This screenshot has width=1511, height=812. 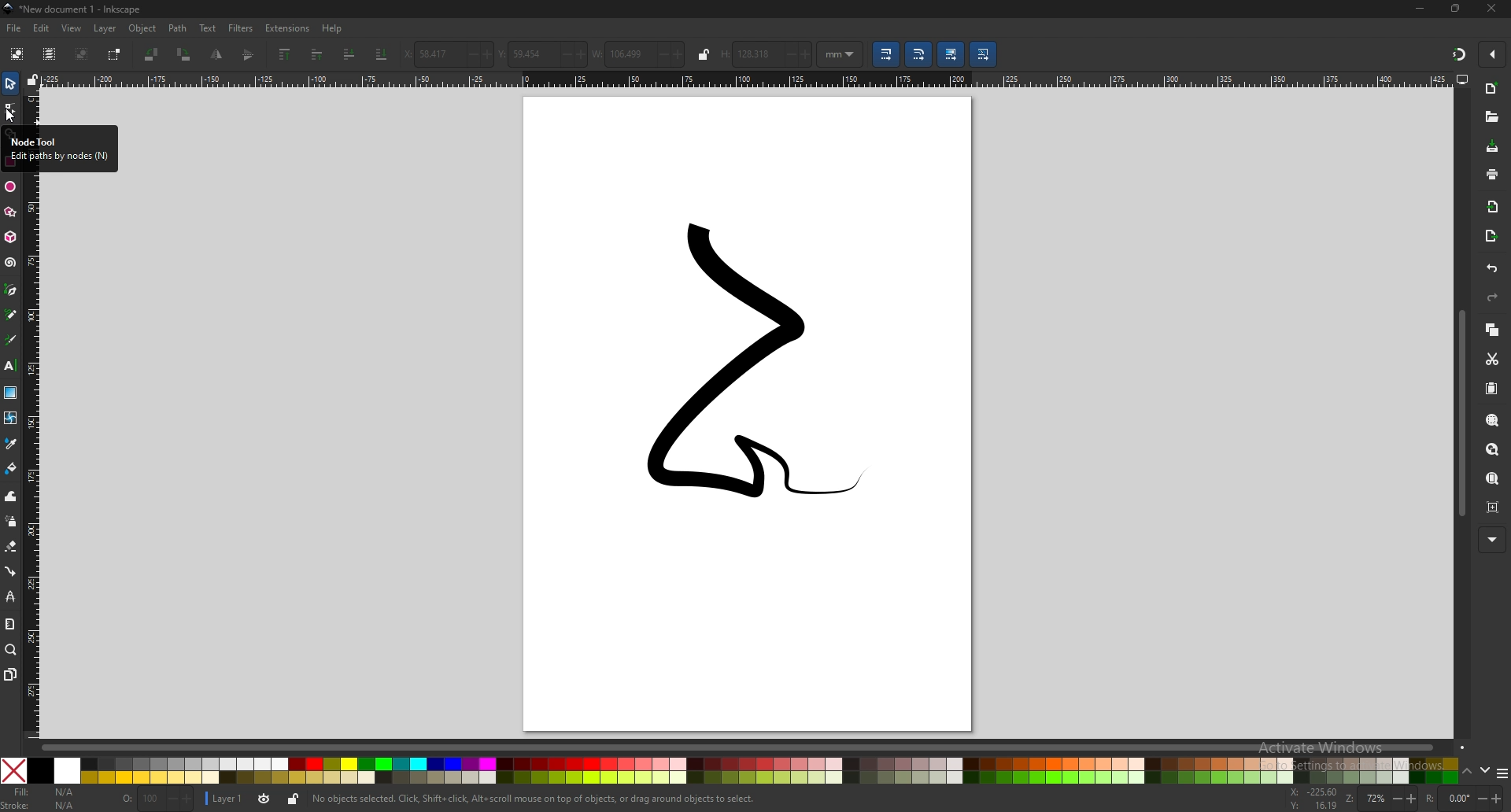 What do you see at coordinates (12, 289) in the screenshot?
I see `pen` at bounding box center [12, 289].